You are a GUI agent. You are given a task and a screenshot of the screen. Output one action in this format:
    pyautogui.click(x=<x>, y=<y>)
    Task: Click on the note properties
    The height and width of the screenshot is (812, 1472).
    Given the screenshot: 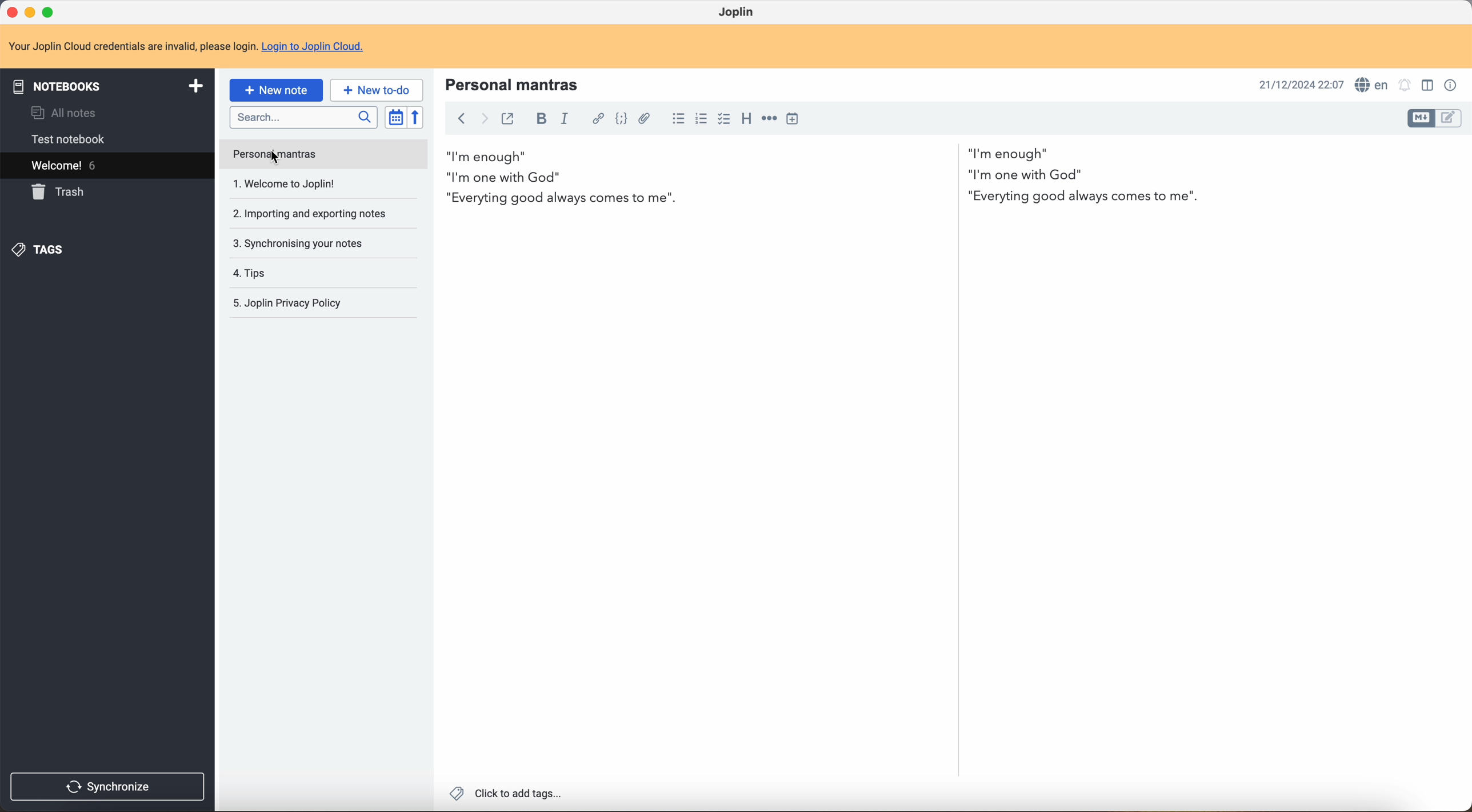 What is the action you would take?
    pyautogui.click(x=1455, y=85)
    